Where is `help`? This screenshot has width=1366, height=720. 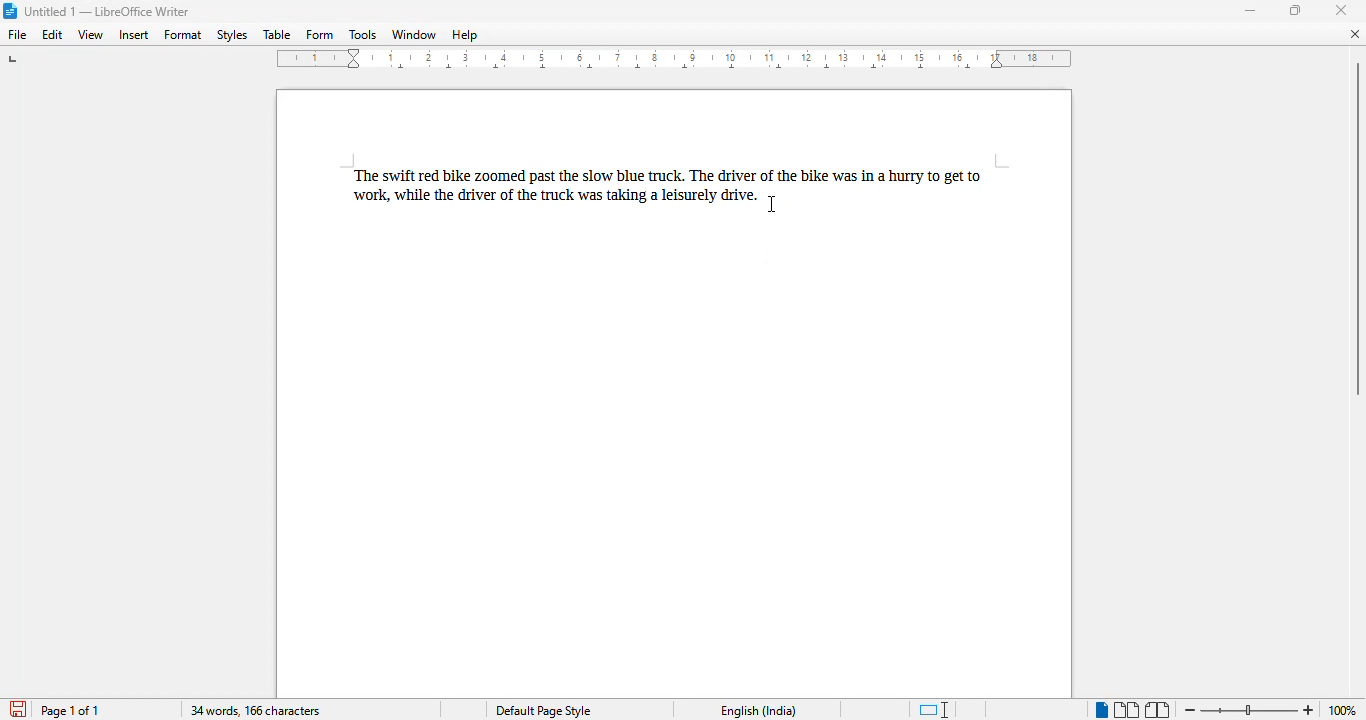 help is located at coordinates (464, 35).